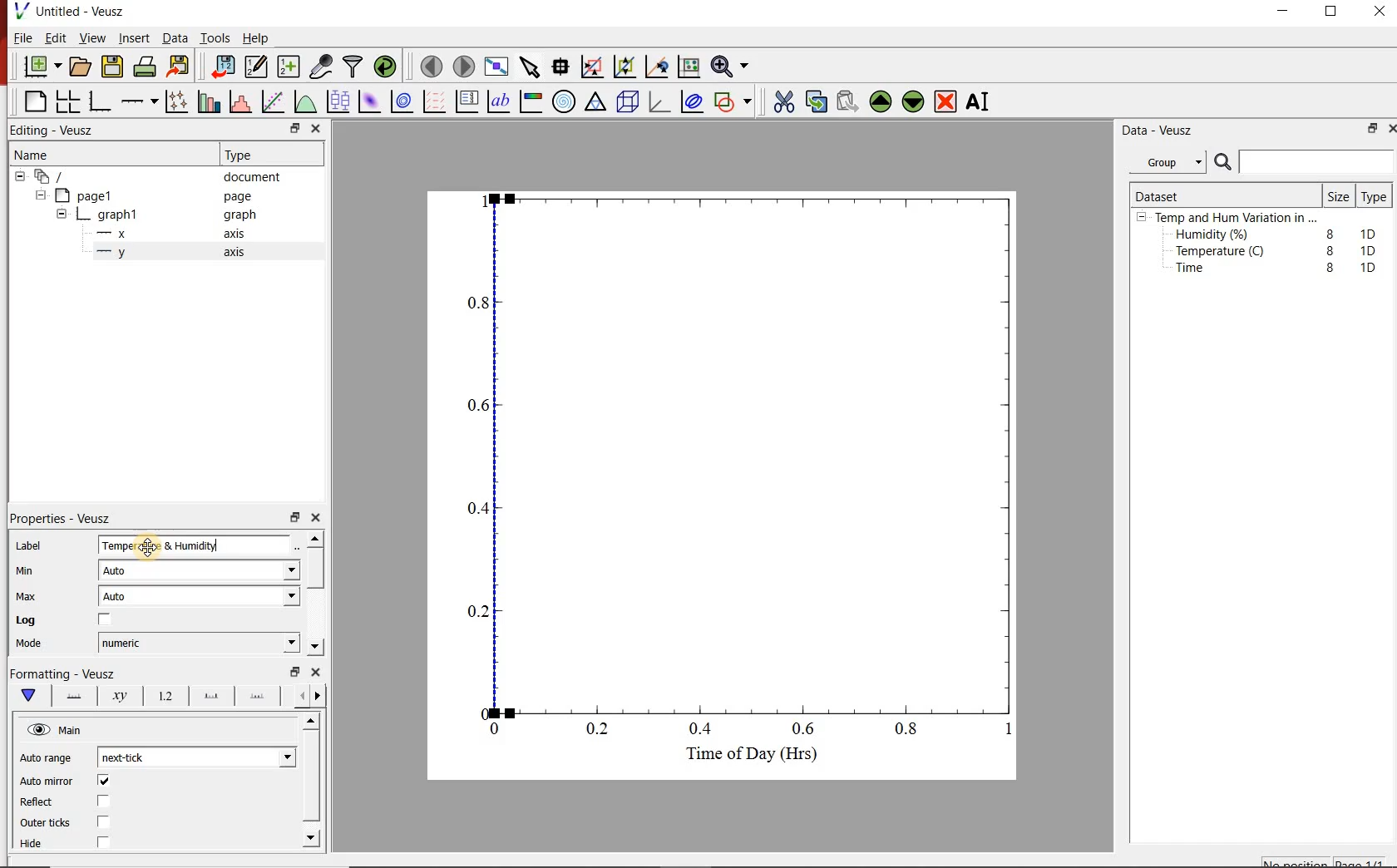 The height and width of the screenshot is (868, 1397). What do you see at coordinates (273, 572) in the screenshot?
I see `Min dropdown` at bounding box center [273, 572].